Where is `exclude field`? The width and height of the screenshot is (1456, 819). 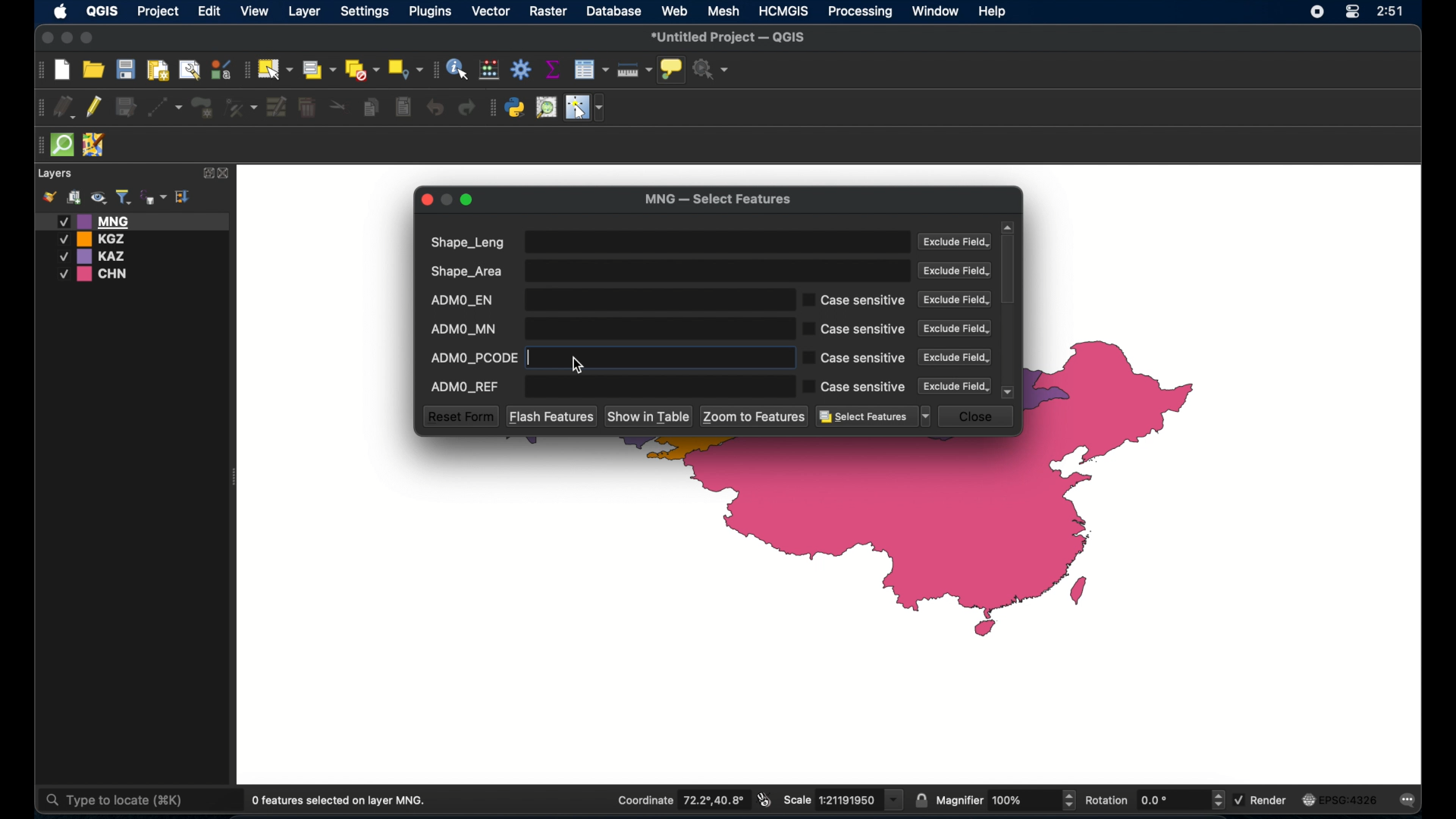 exclude field is located at coordinates (956, 243).